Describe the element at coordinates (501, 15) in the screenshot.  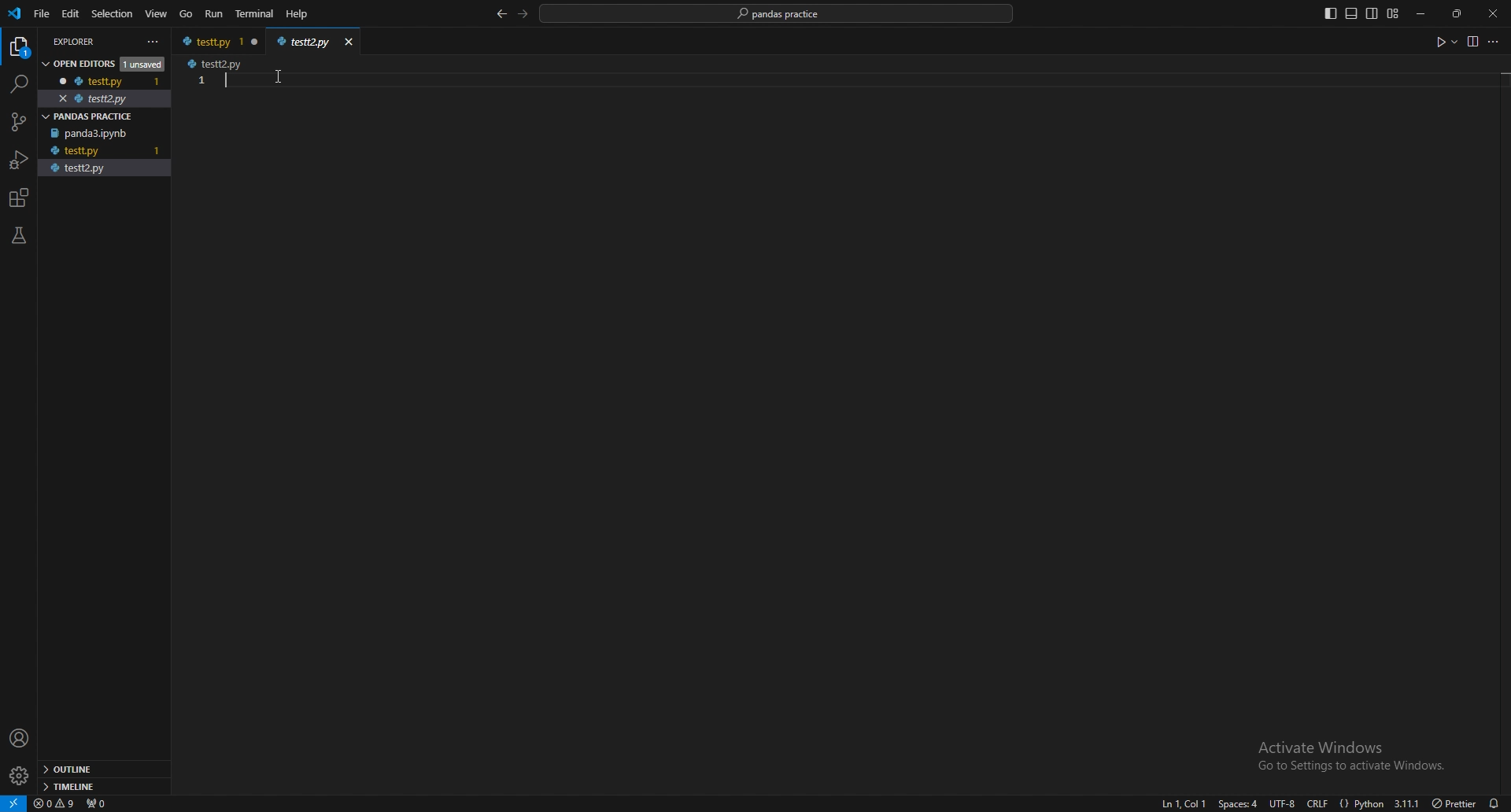
I see `back` at that location.